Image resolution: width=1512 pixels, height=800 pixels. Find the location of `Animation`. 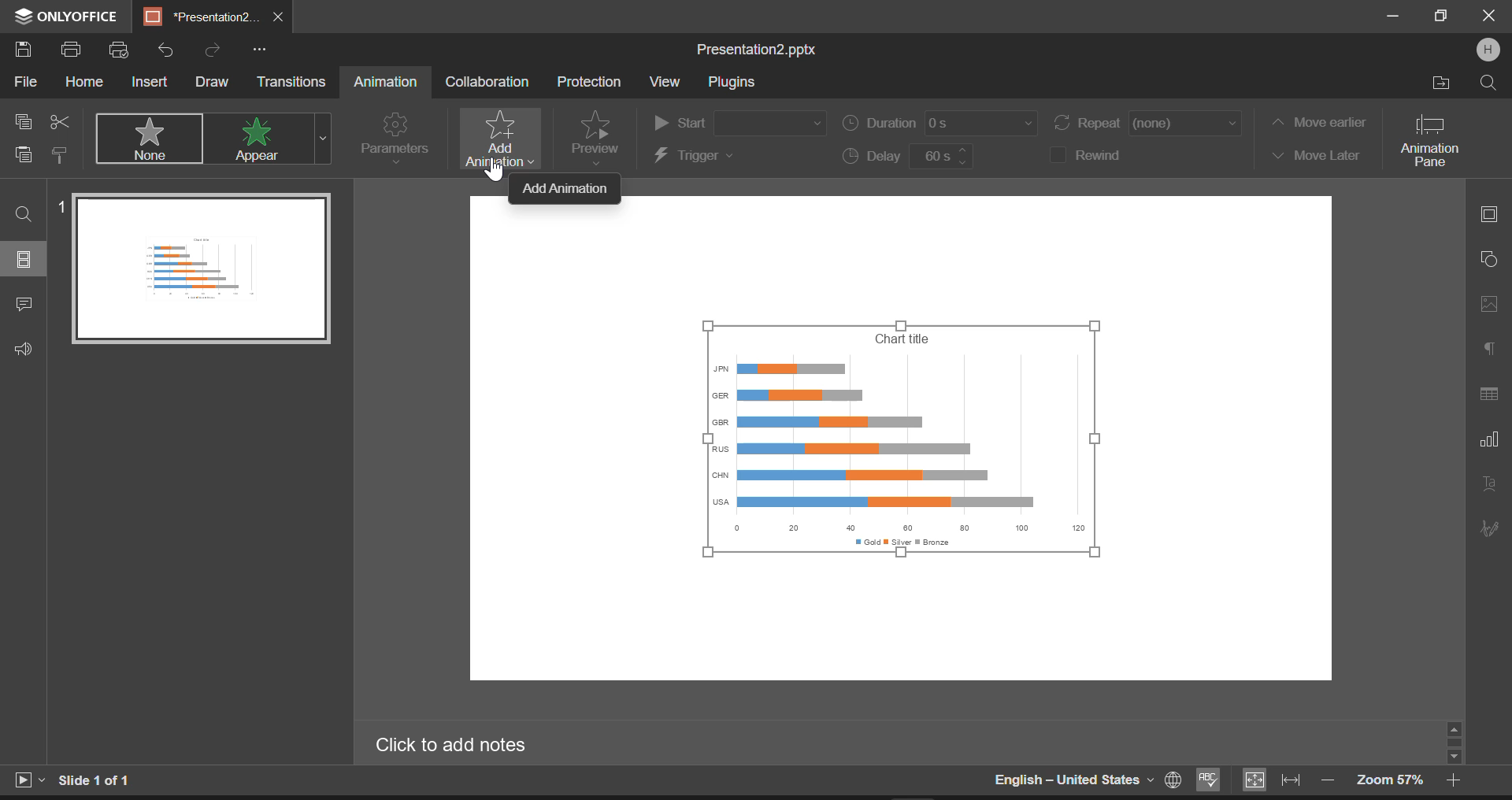

Animation is located at coordinates (384, 83).